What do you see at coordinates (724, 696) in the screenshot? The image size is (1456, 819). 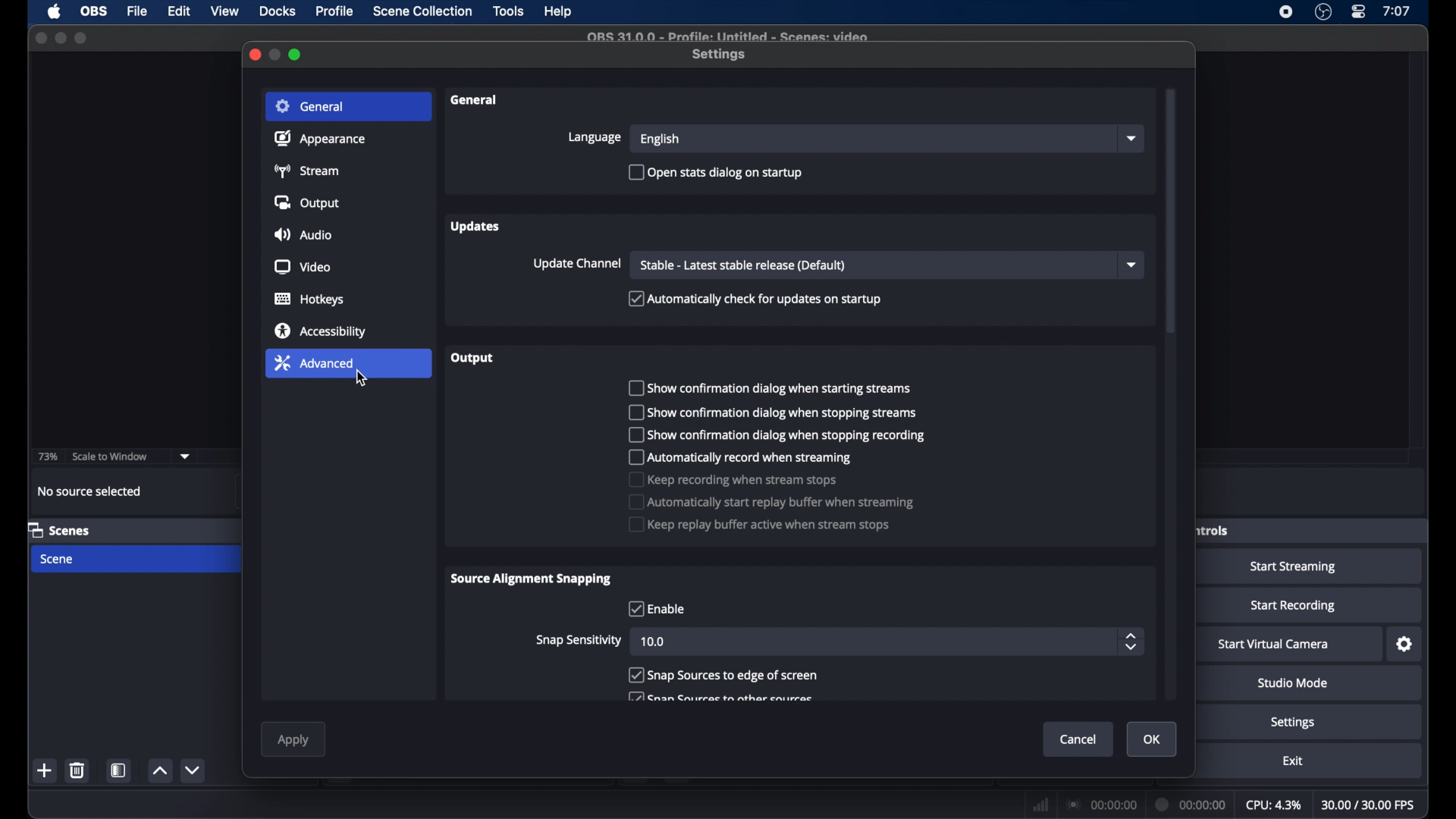 I see `checkbox` at bounding box center [724, 696].